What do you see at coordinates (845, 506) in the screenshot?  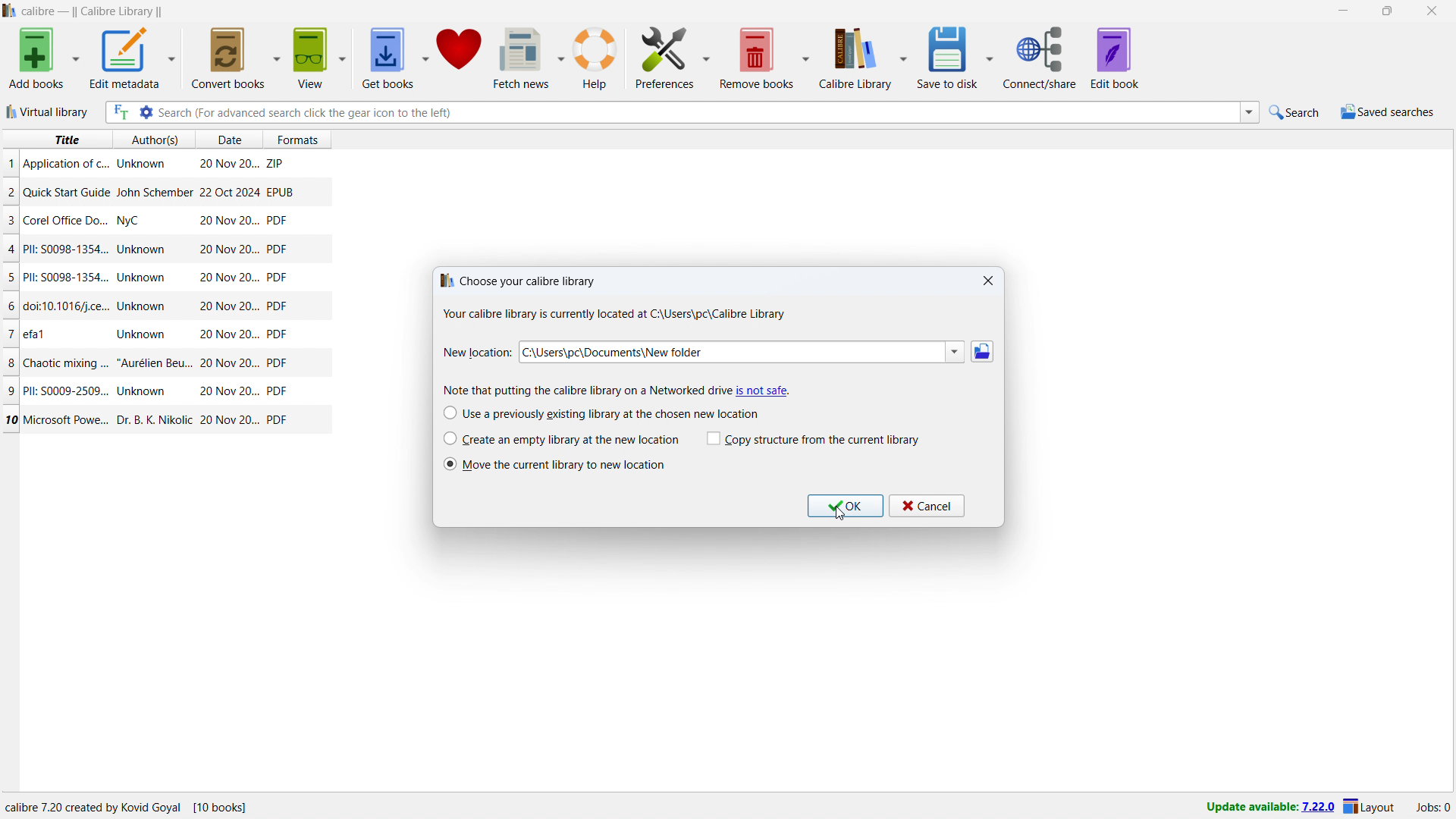 I see `ok` at bounding box center [845, 506].